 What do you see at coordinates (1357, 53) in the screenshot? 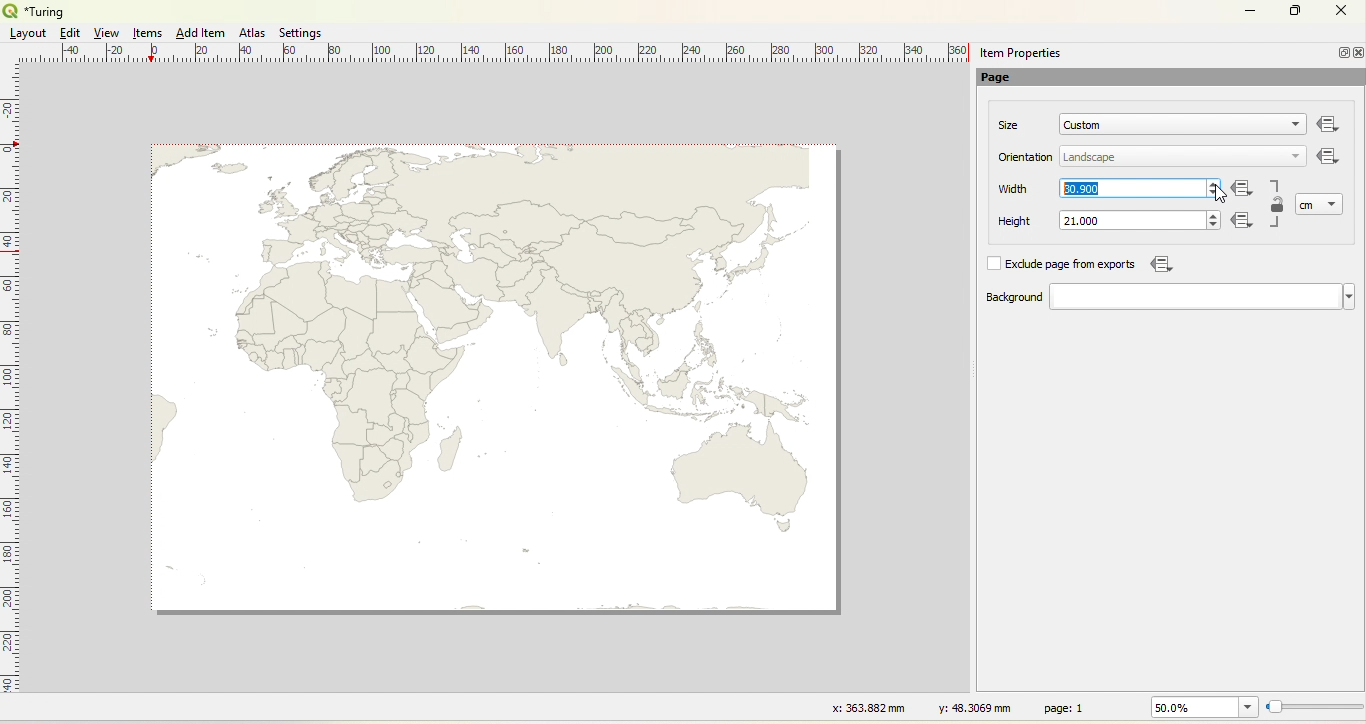
I see `close` at bounding box center [1357, 53].